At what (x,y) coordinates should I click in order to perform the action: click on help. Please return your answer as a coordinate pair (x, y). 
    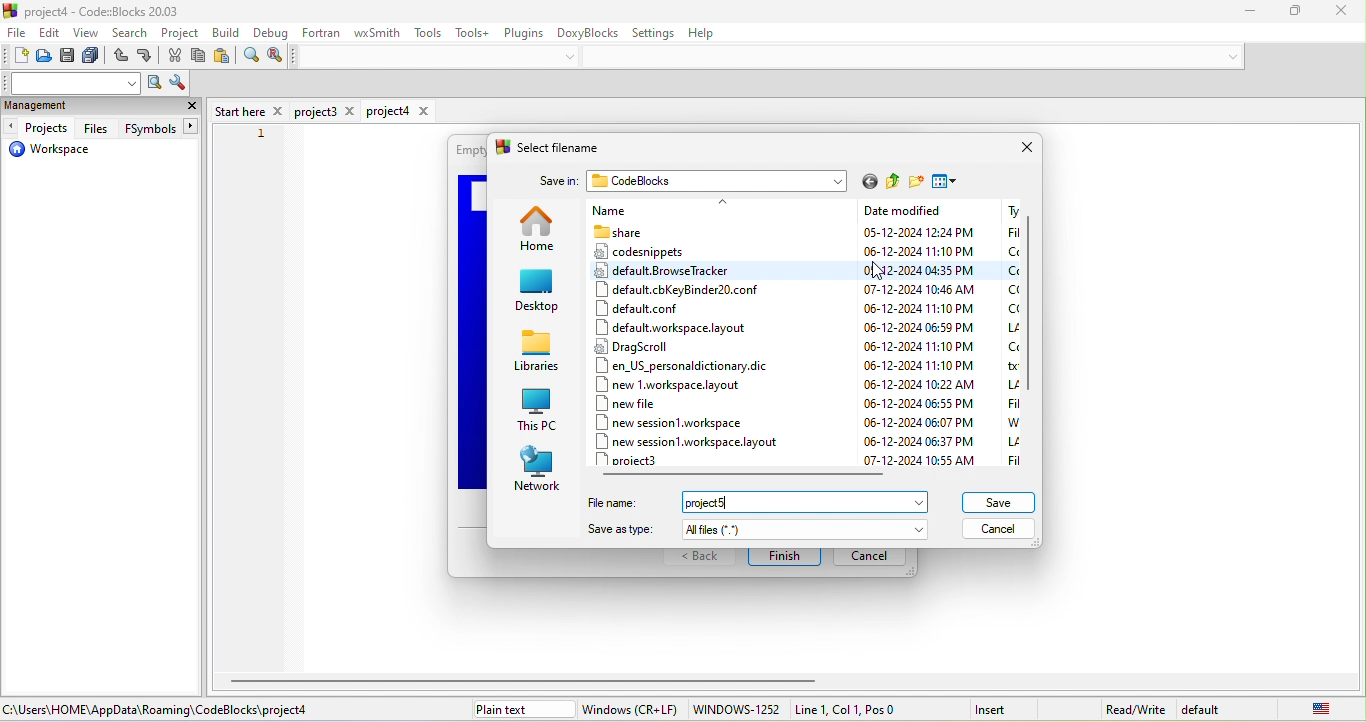
    Looking at the image, I should click on (711, 35).